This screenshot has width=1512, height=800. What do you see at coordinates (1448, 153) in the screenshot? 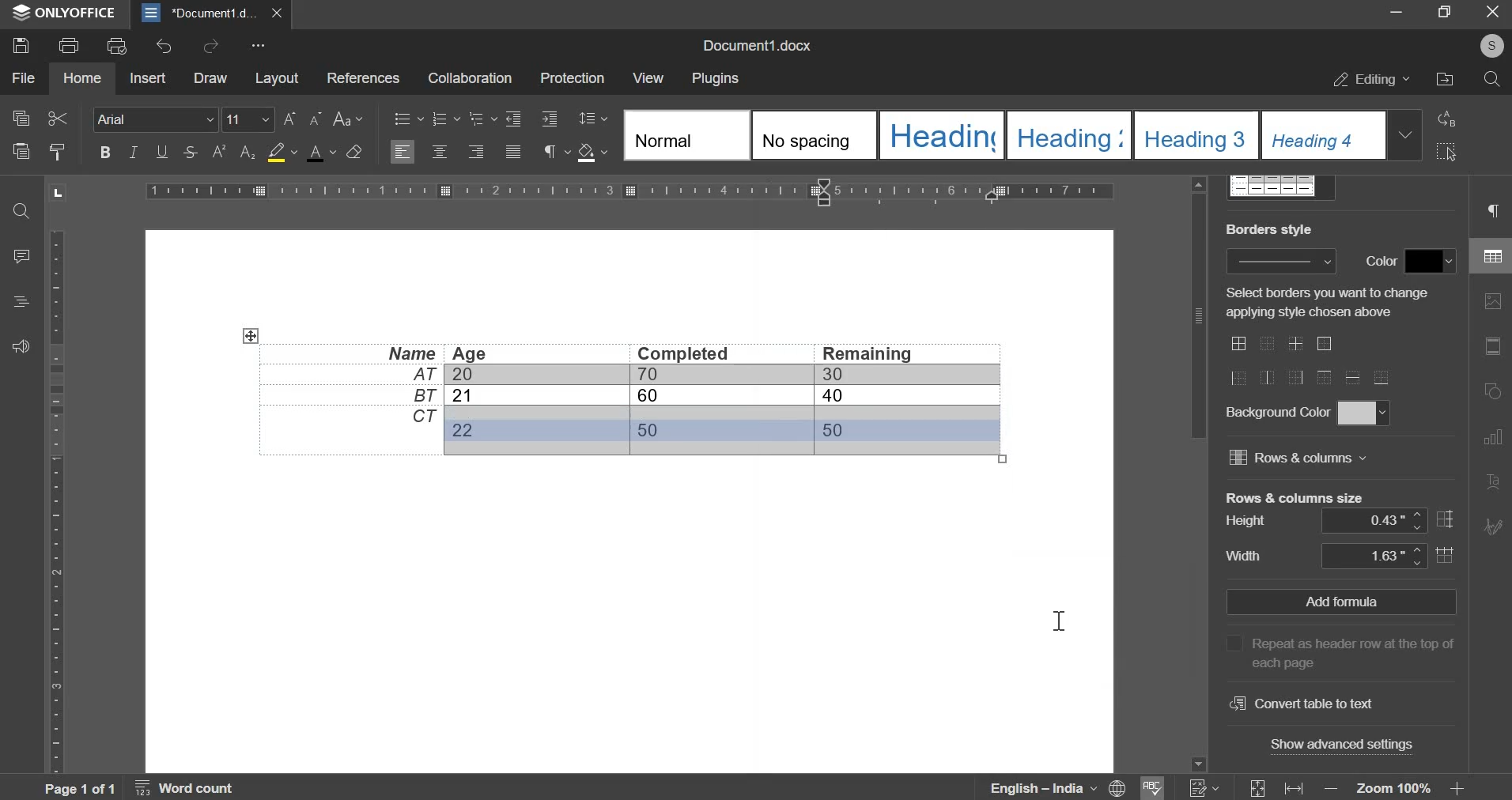
I see `select all` at bounding box center [1448, 153].